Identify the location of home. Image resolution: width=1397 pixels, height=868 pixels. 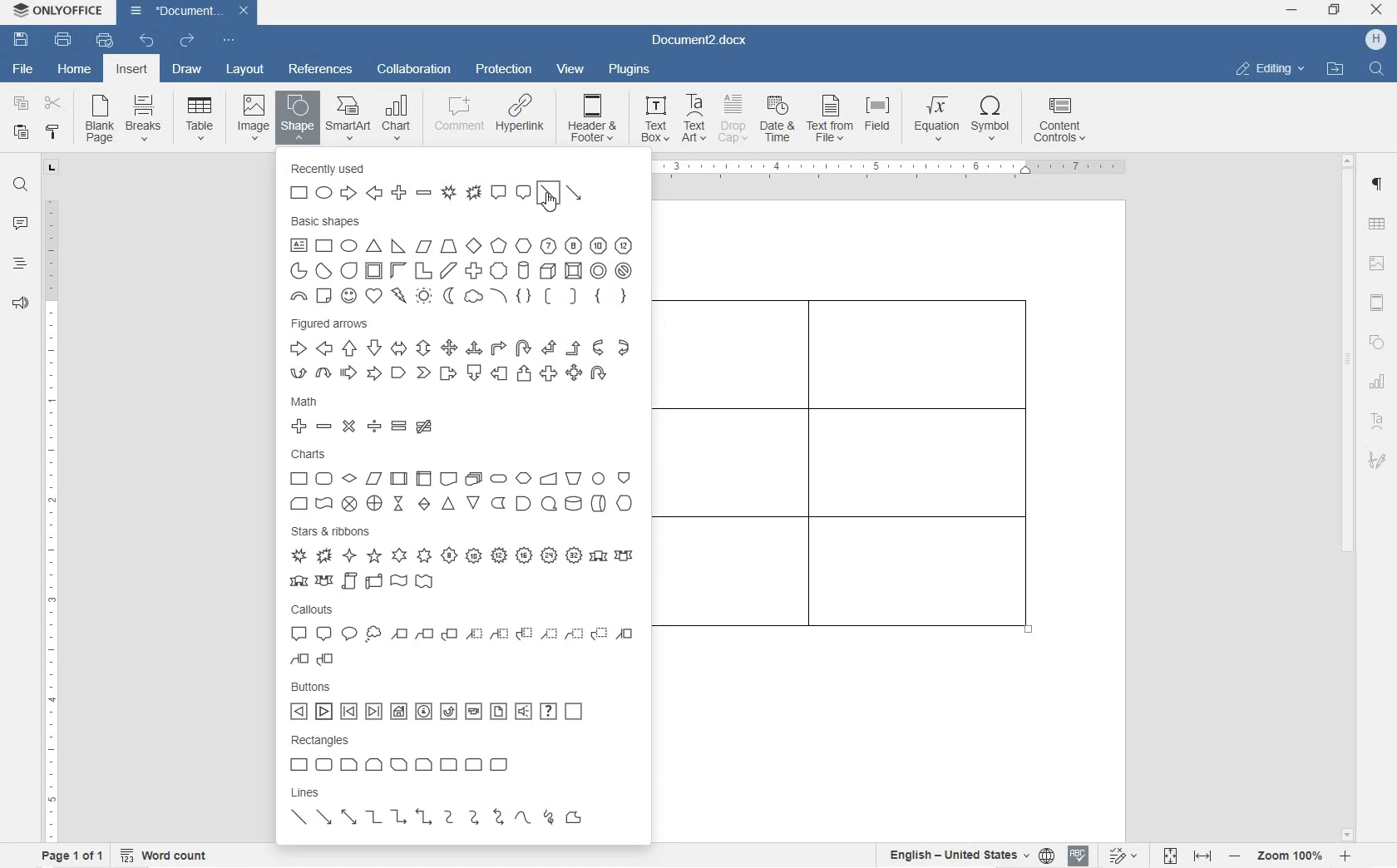
(76, 70).